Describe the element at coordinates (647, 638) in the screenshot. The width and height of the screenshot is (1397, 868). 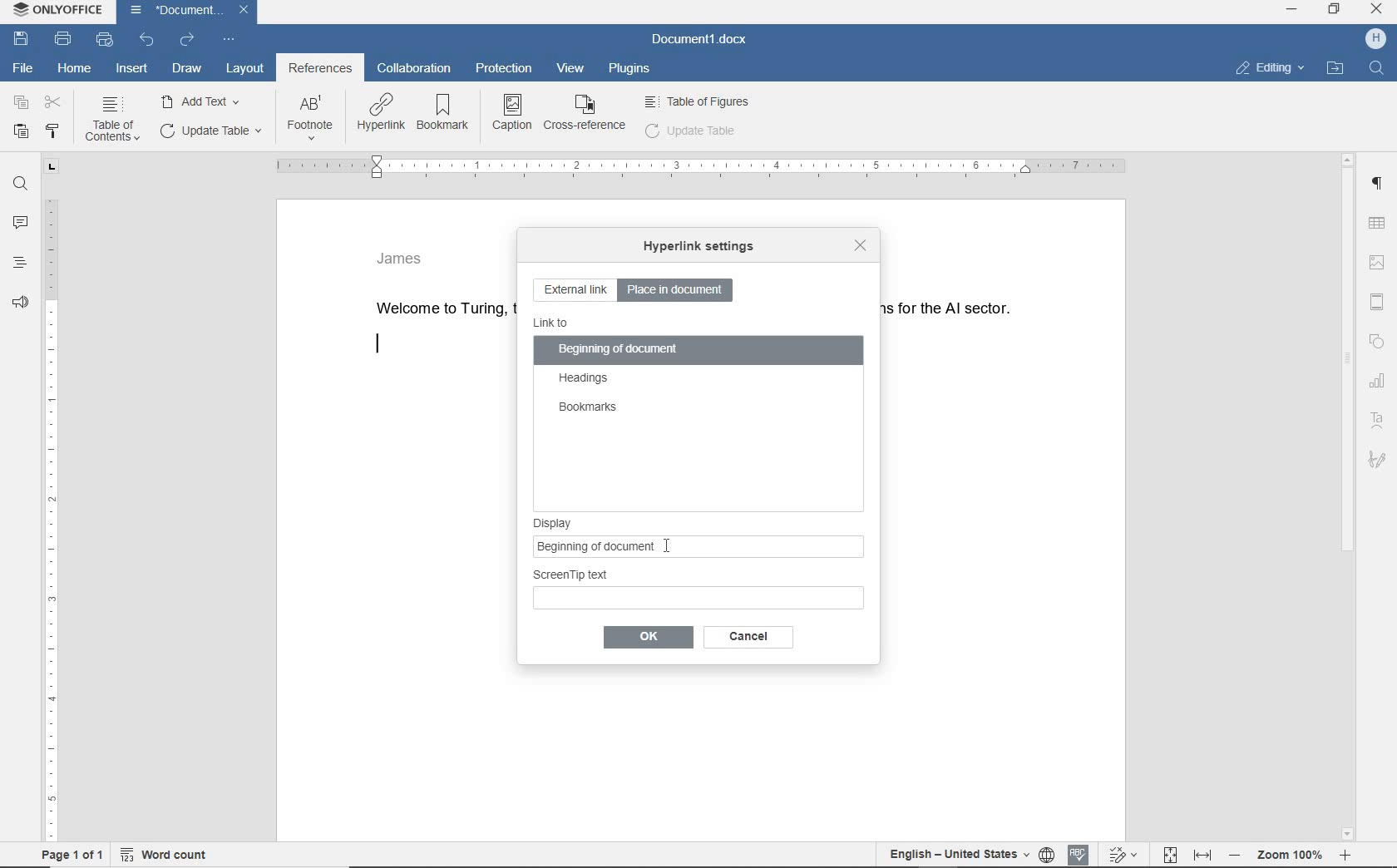
I see `ok` at that location.